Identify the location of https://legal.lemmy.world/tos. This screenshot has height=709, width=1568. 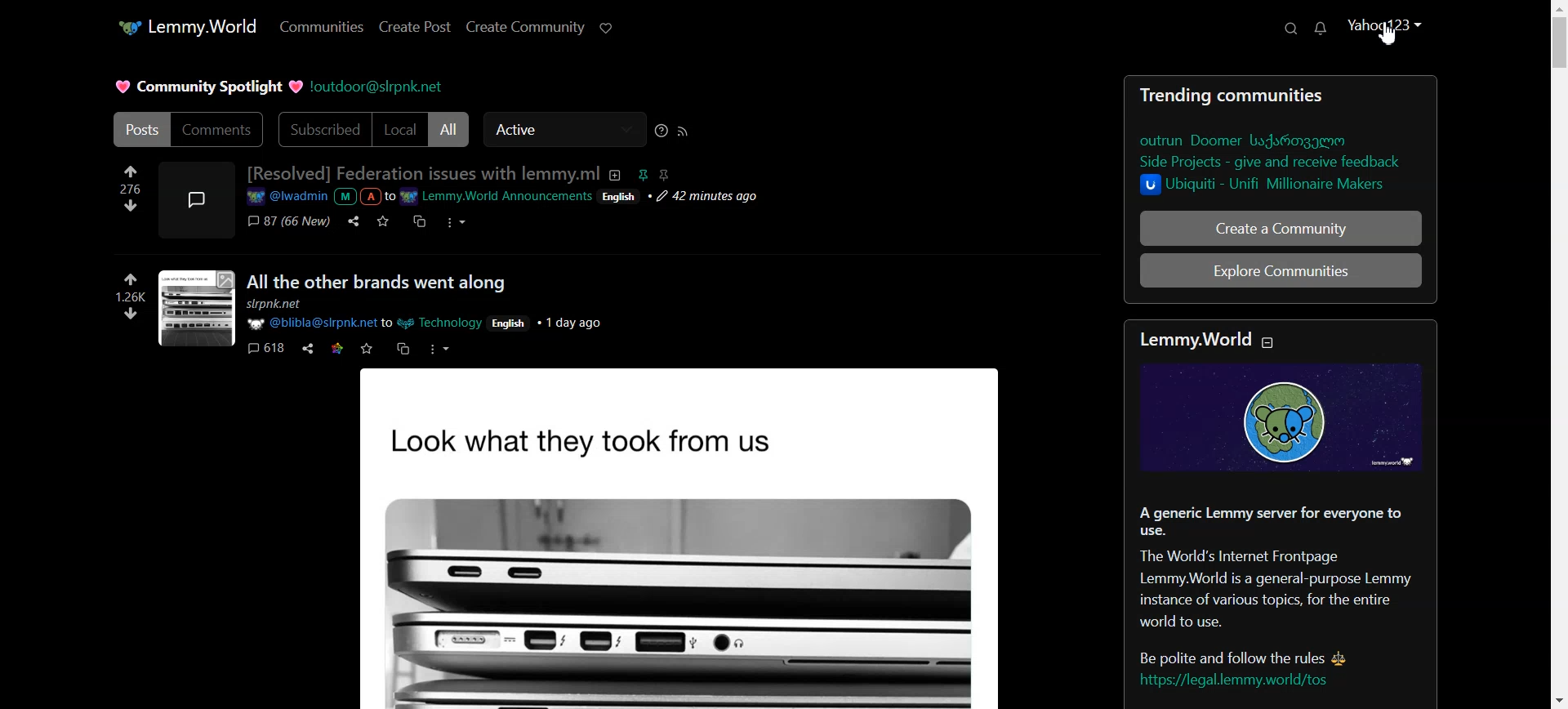
(1232, 682).